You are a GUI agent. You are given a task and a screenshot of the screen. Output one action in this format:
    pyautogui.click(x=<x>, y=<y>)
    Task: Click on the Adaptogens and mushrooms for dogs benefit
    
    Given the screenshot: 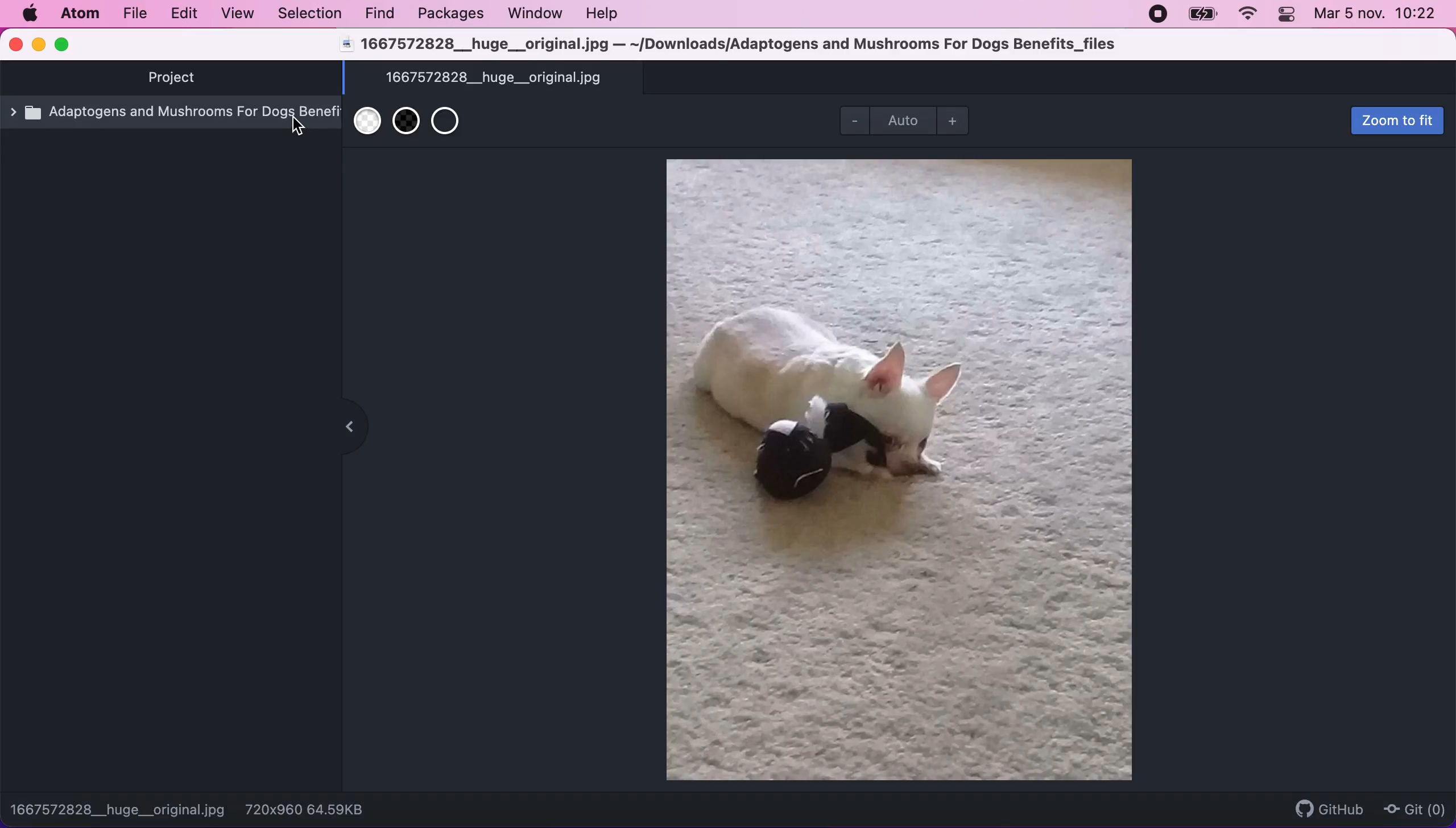 What is the action you would take?
    pyautogui.click(x=174, y=118)
    